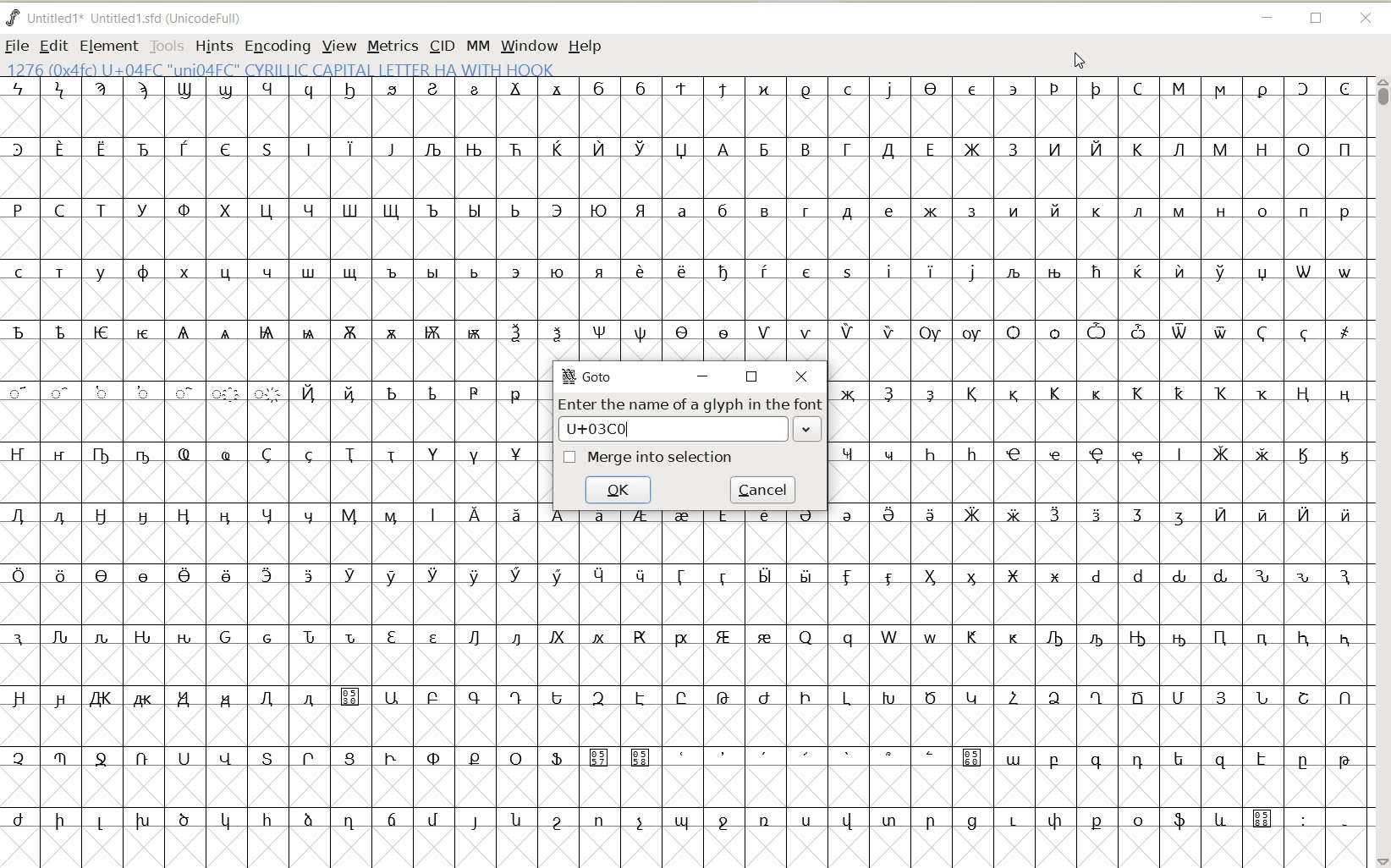 The height and width of the screenshot is (868, 1391). Describe the element at coordinates (764, 490) in the screenshot. I see `cancel` at that location.